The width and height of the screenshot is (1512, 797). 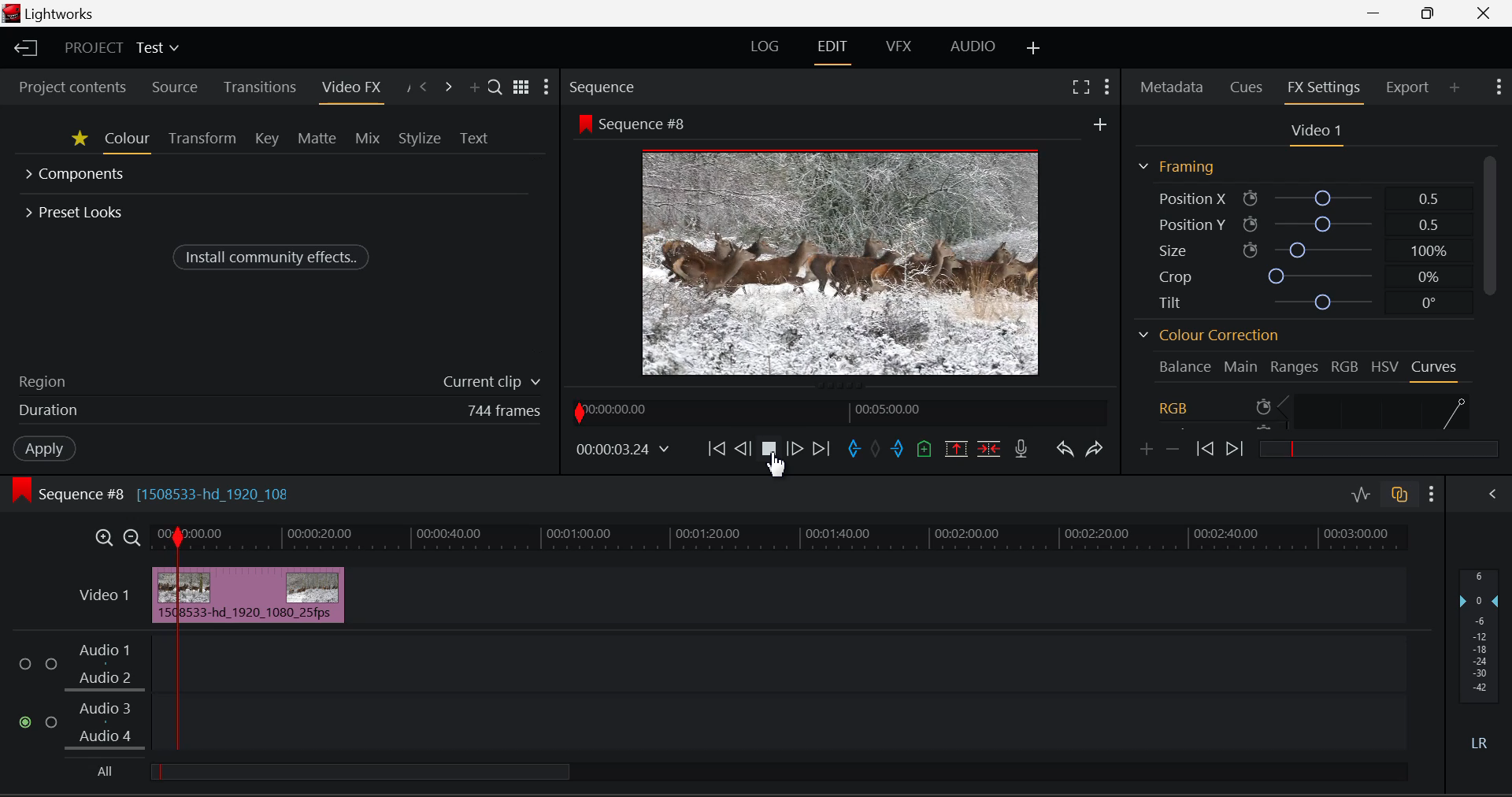 I want to click on Ranges, so click(x=1295, y=366).